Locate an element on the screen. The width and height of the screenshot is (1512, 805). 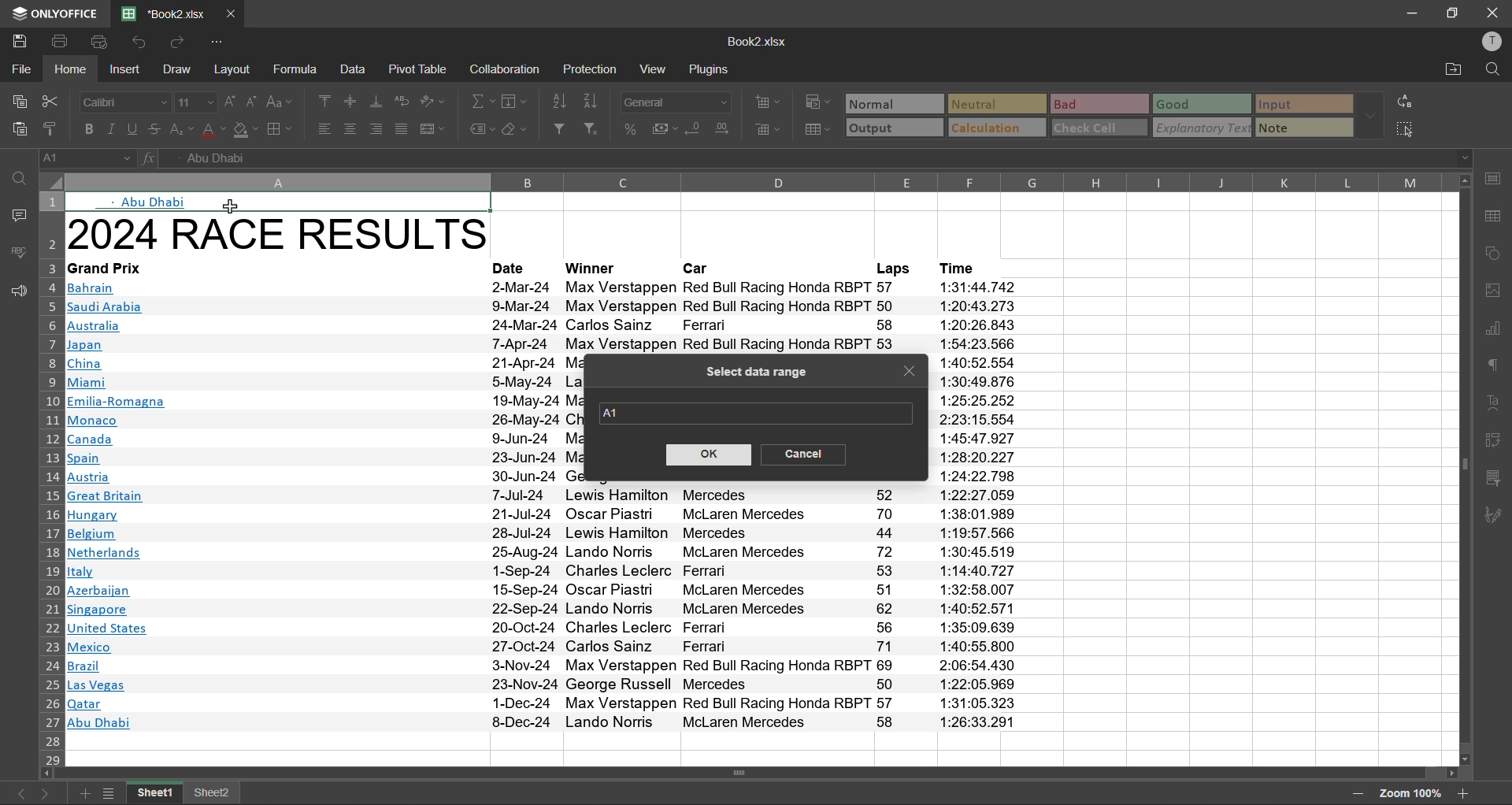
zoom in is located at coordinates (1462, 792).